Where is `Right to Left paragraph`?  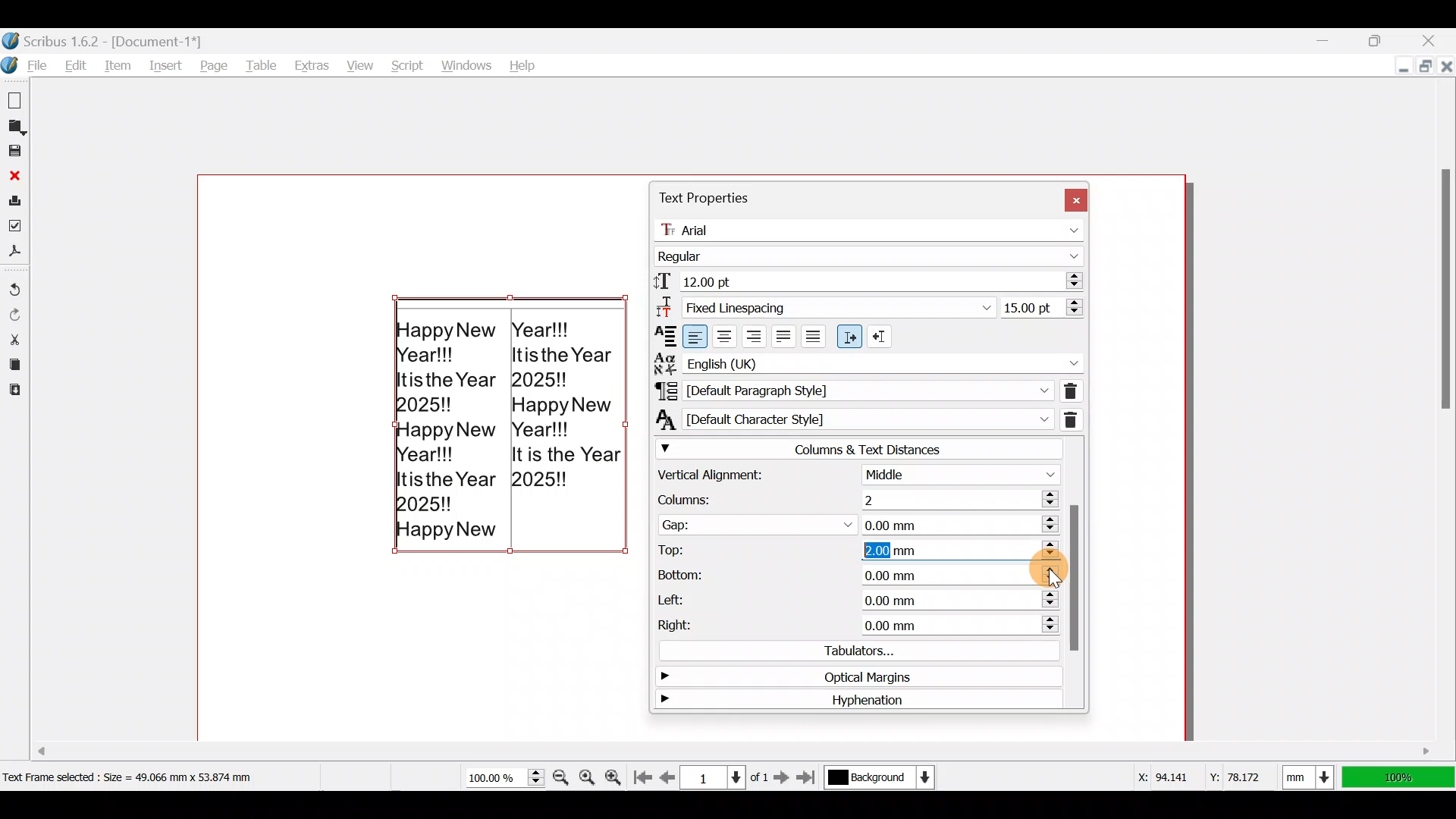
Right to Left paragraph is located at coordinates (882, 333).